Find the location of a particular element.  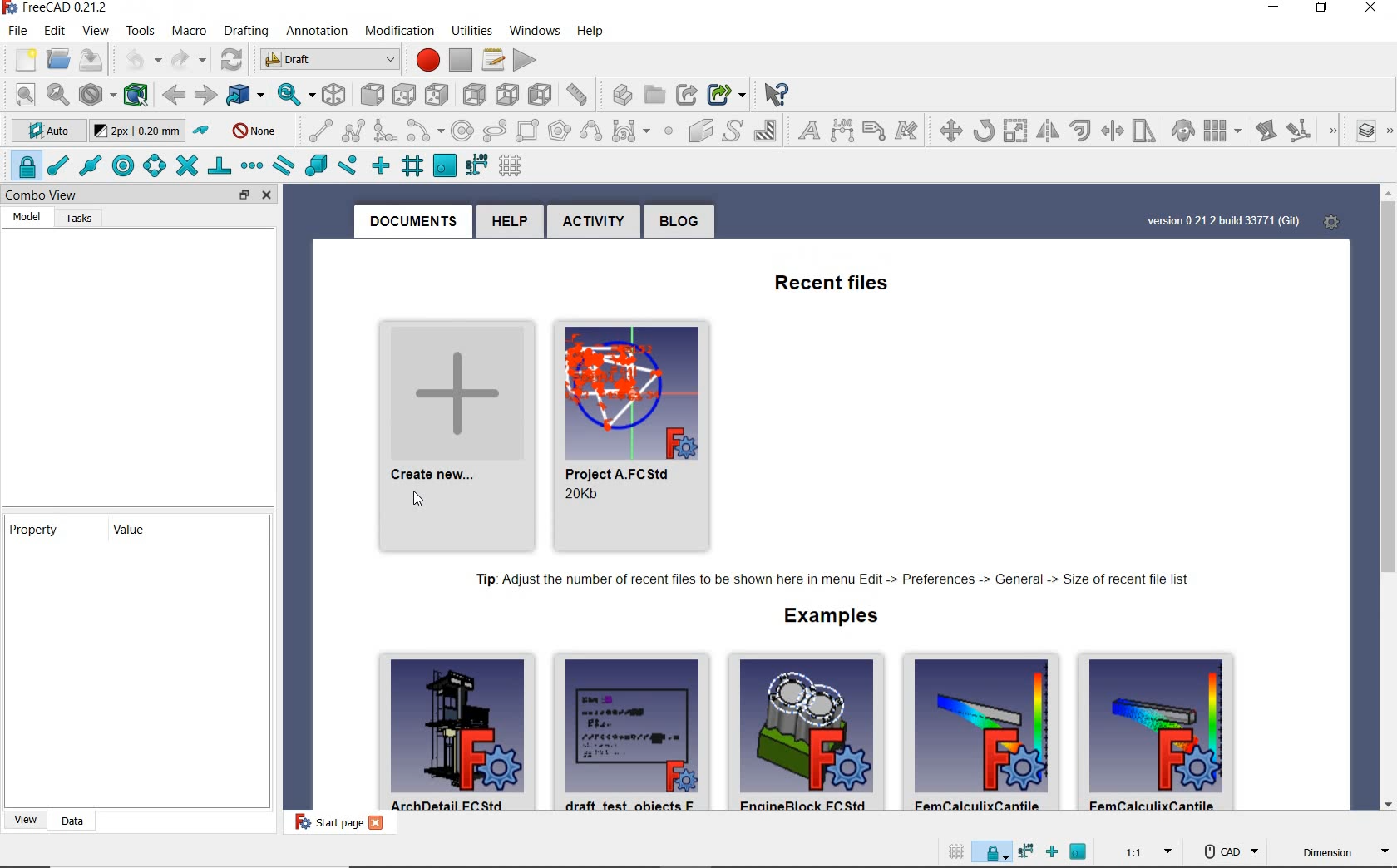

snap intersection is located at coordinates (188, 165).